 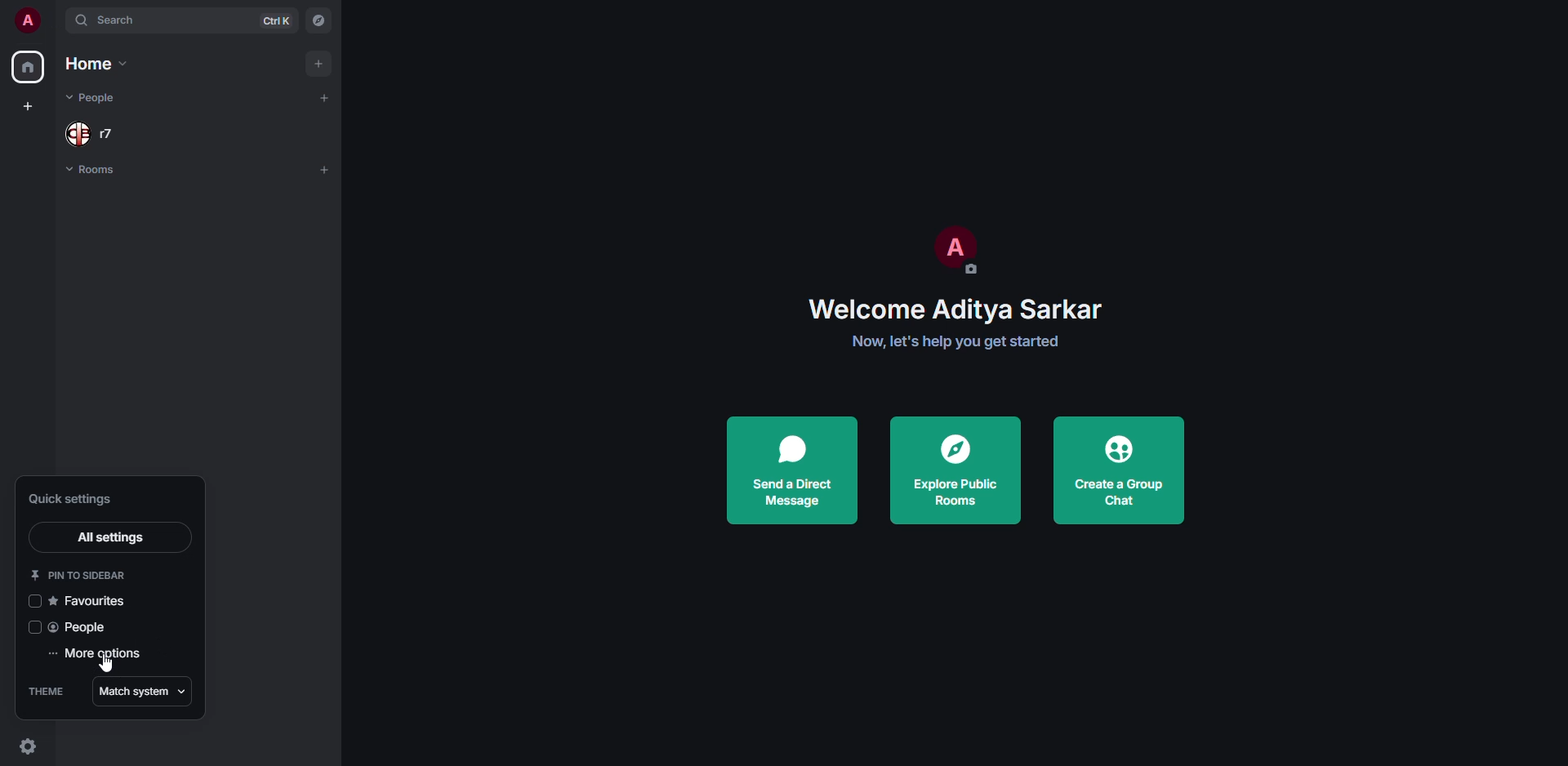 What do you see at coordinates (953, 248) in the screenshot?
I see `profile pic` at bounding box center [953, 248].